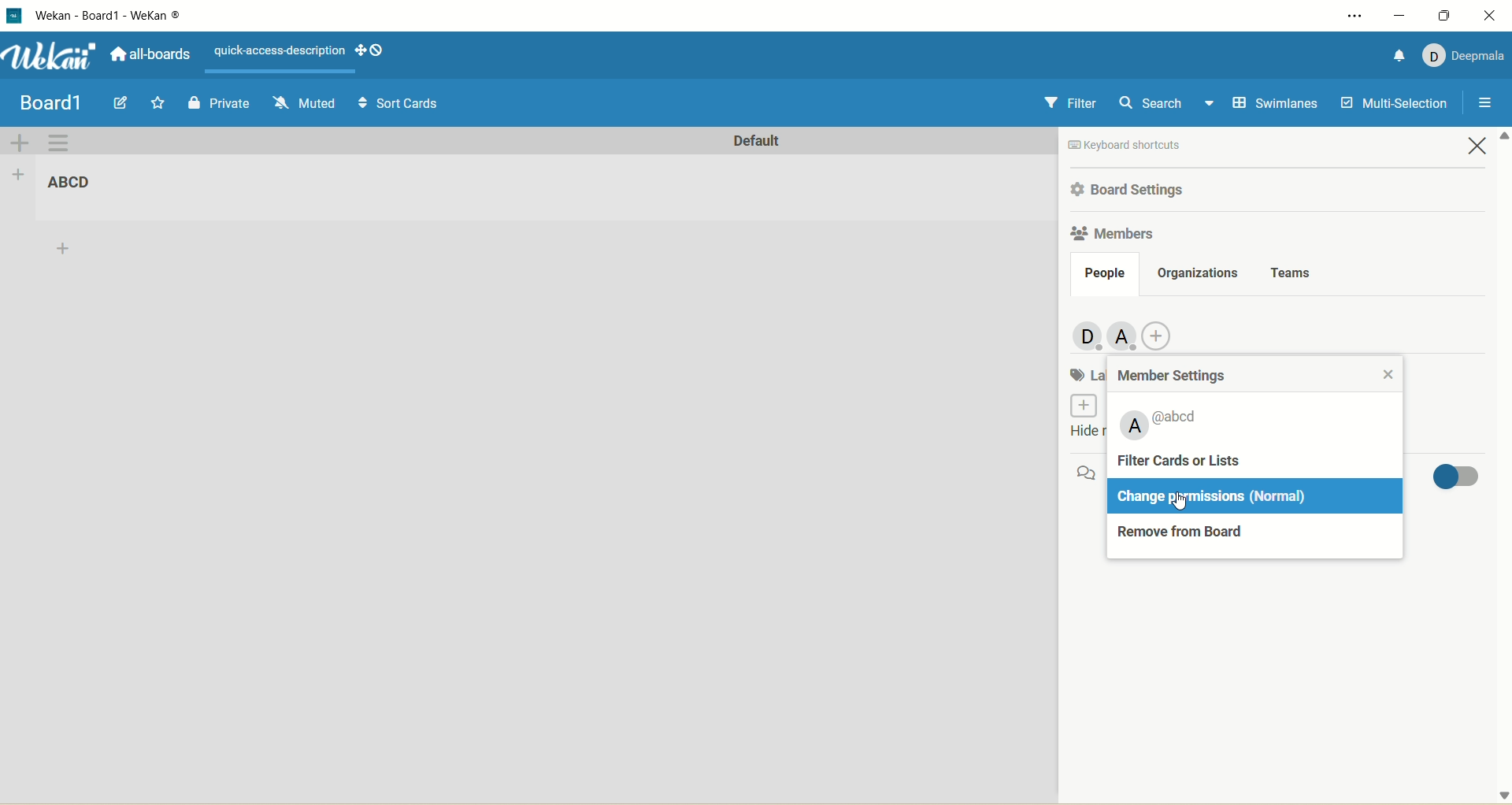 The height and width of the screenshot is (805, 1512). I want to click on close, so click(1490, 18).